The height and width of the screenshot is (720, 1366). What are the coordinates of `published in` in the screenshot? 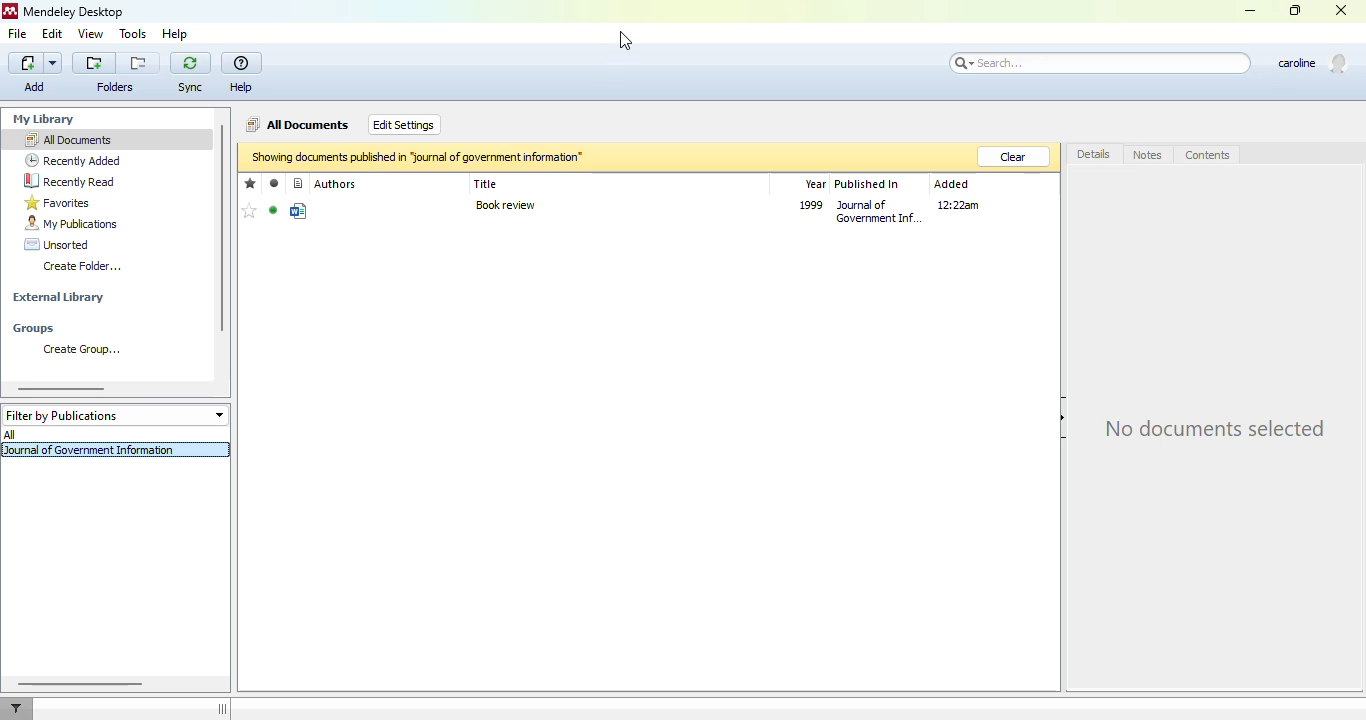 It's located at (867, 185).